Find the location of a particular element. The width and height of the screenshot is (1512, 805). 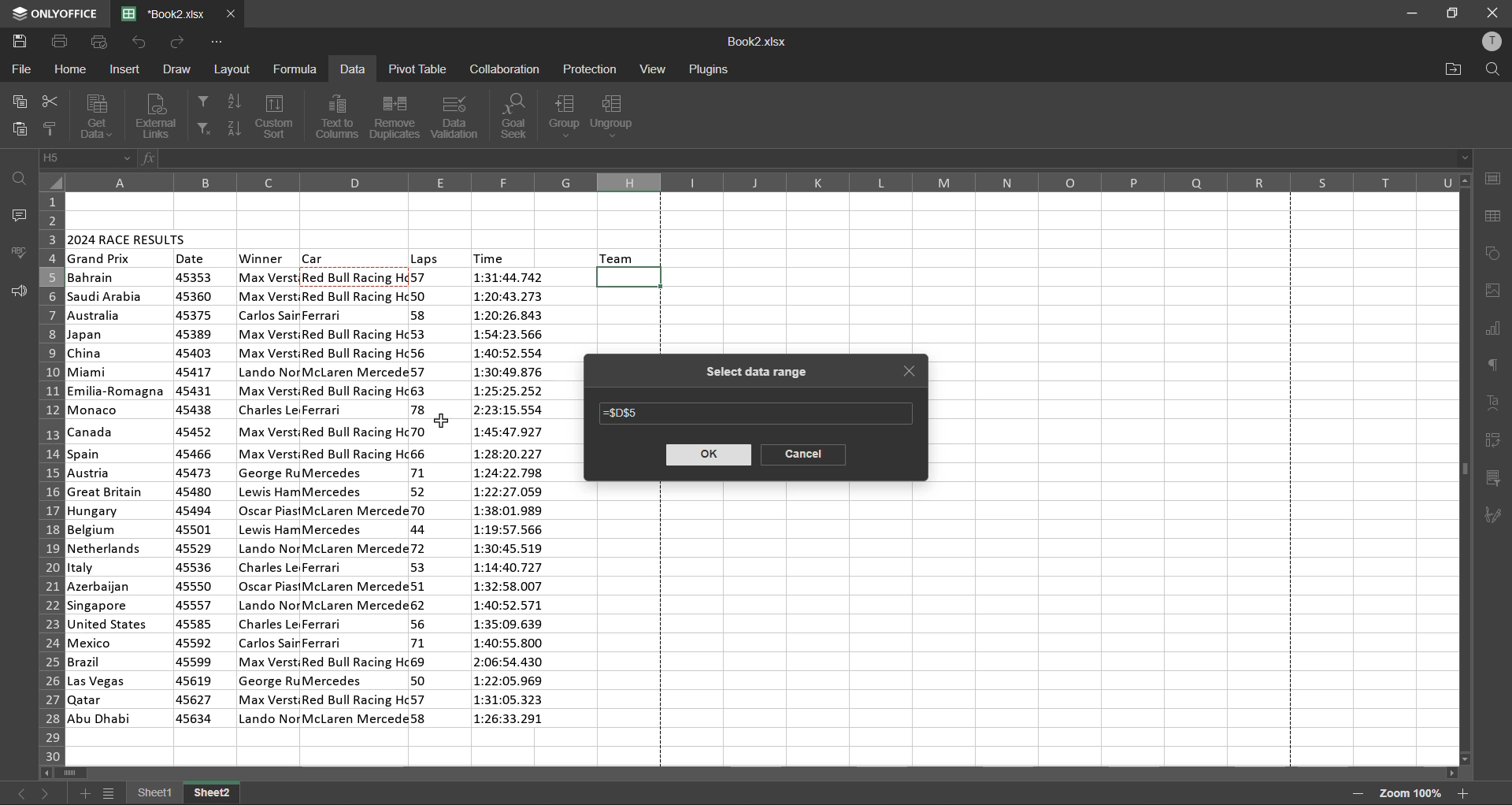

cursor is located at coordinates (443, 423).